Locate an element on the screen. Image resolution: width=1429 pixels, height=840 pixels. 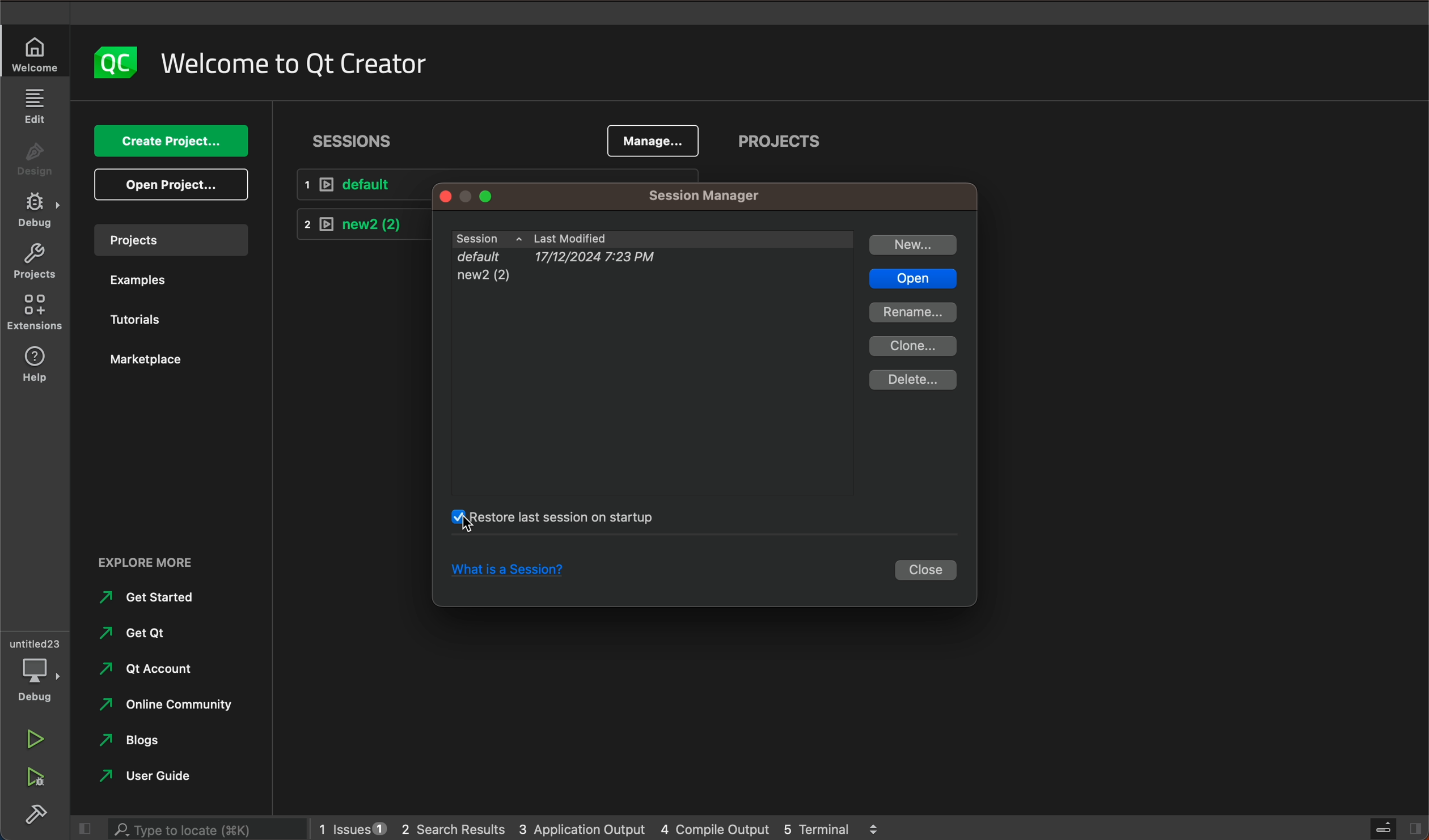
close is located at coordinates (925, 570).